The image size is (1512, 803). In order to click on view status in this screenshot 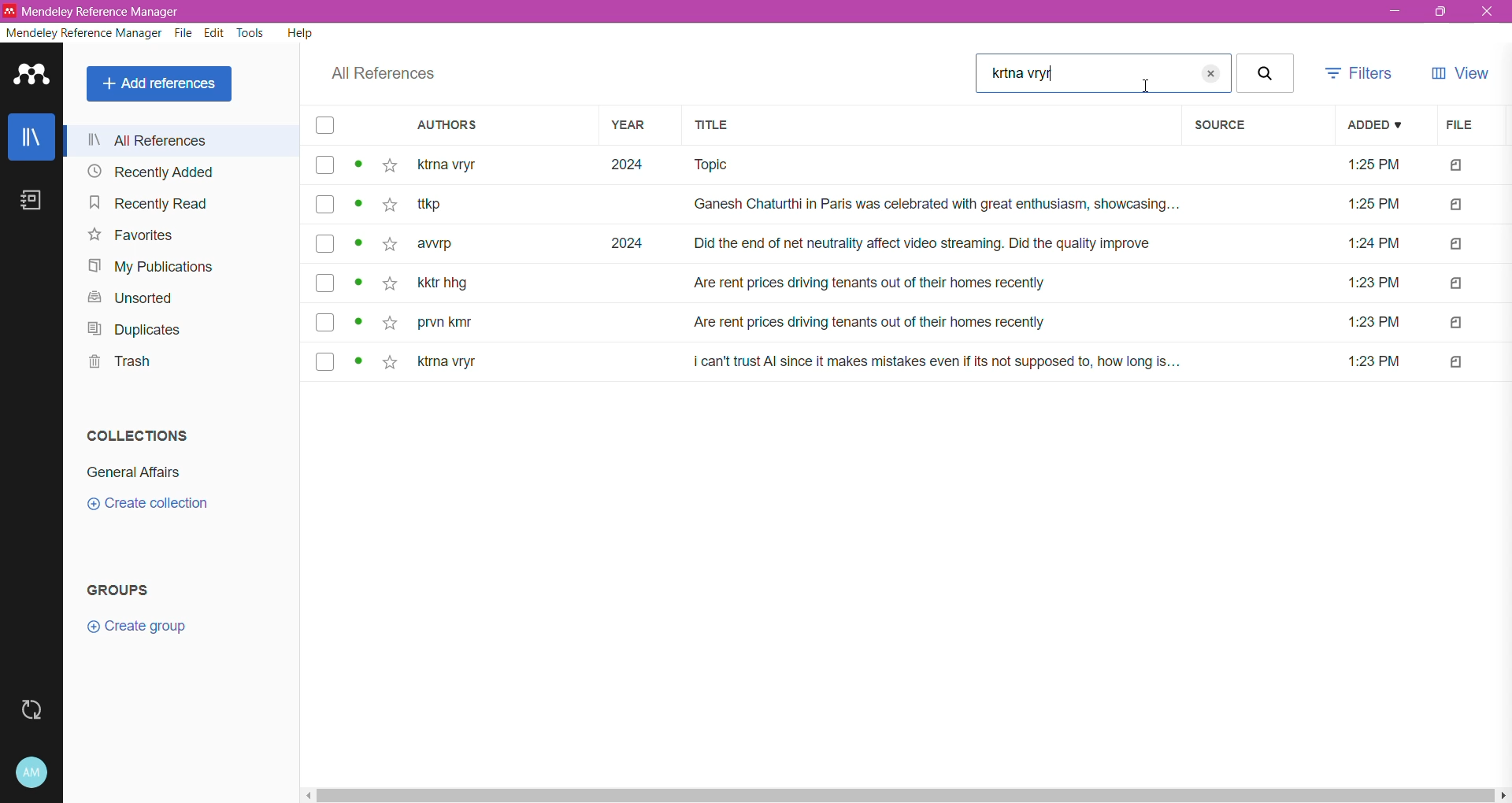, I will do `click(361, 165)`.